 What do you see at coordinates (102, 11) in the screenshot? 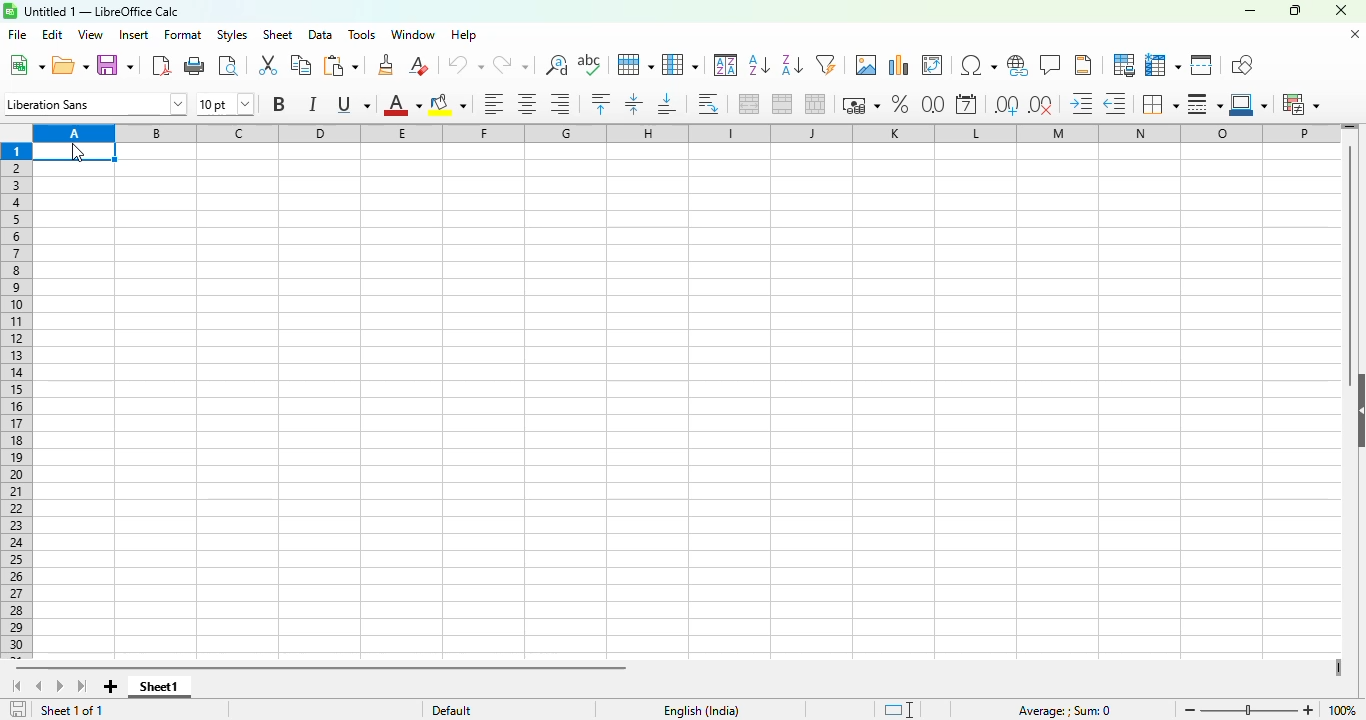
I see `title` at bounding box center [102, 11].